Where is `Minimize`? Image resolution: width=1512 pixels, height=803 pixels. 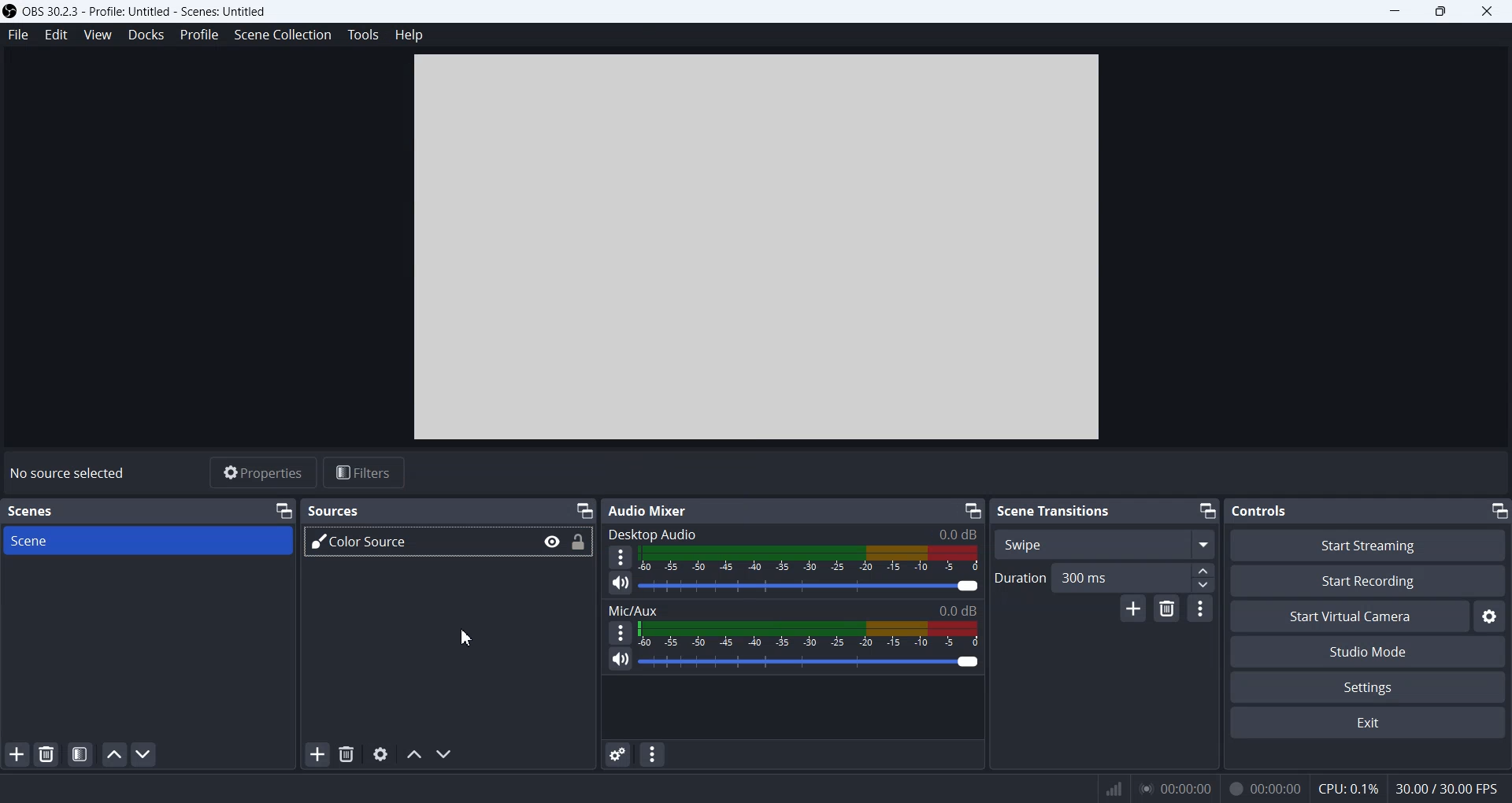
Minimize is located at coordinates (1207, 512).